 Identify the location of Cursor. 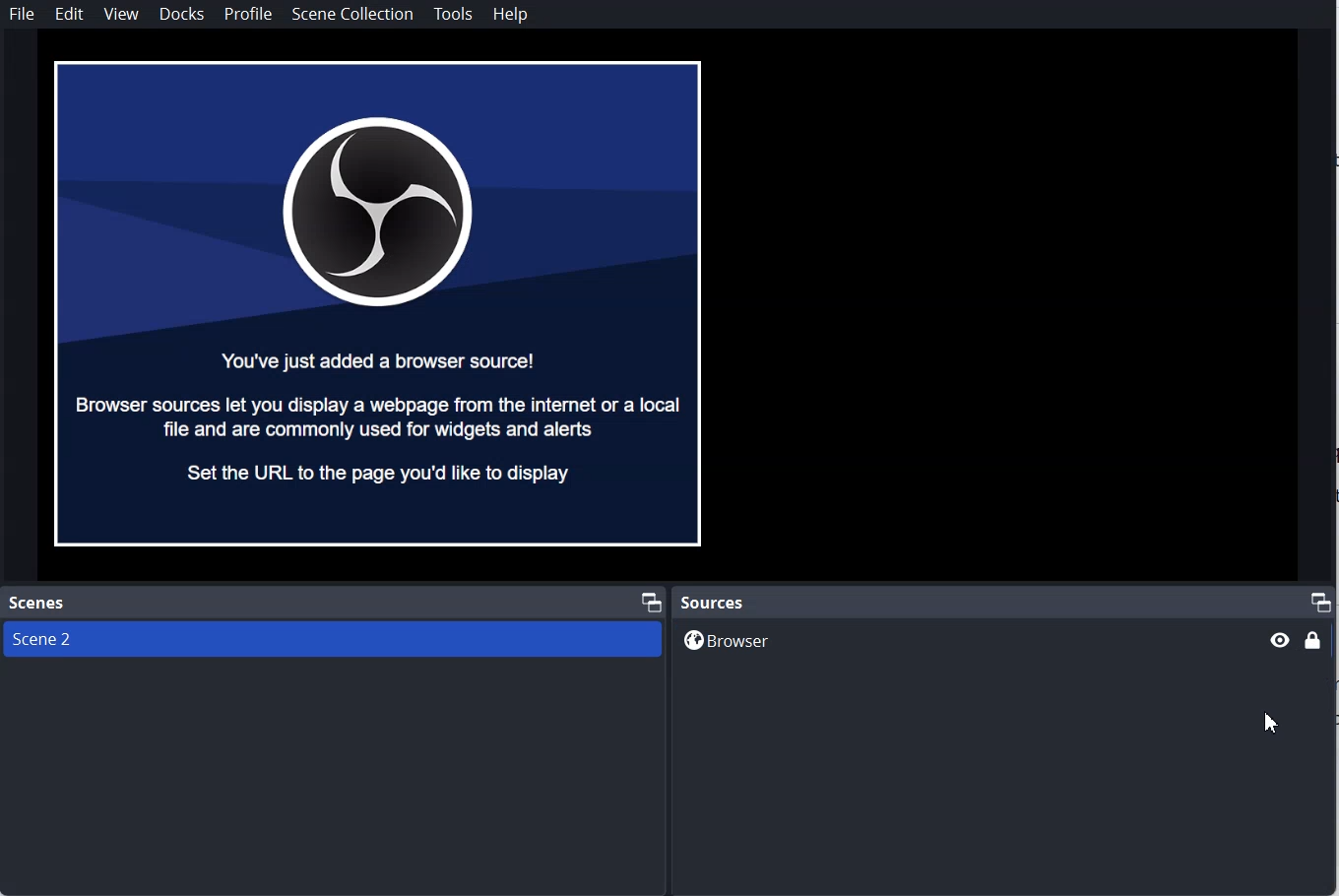
(1270, 723).